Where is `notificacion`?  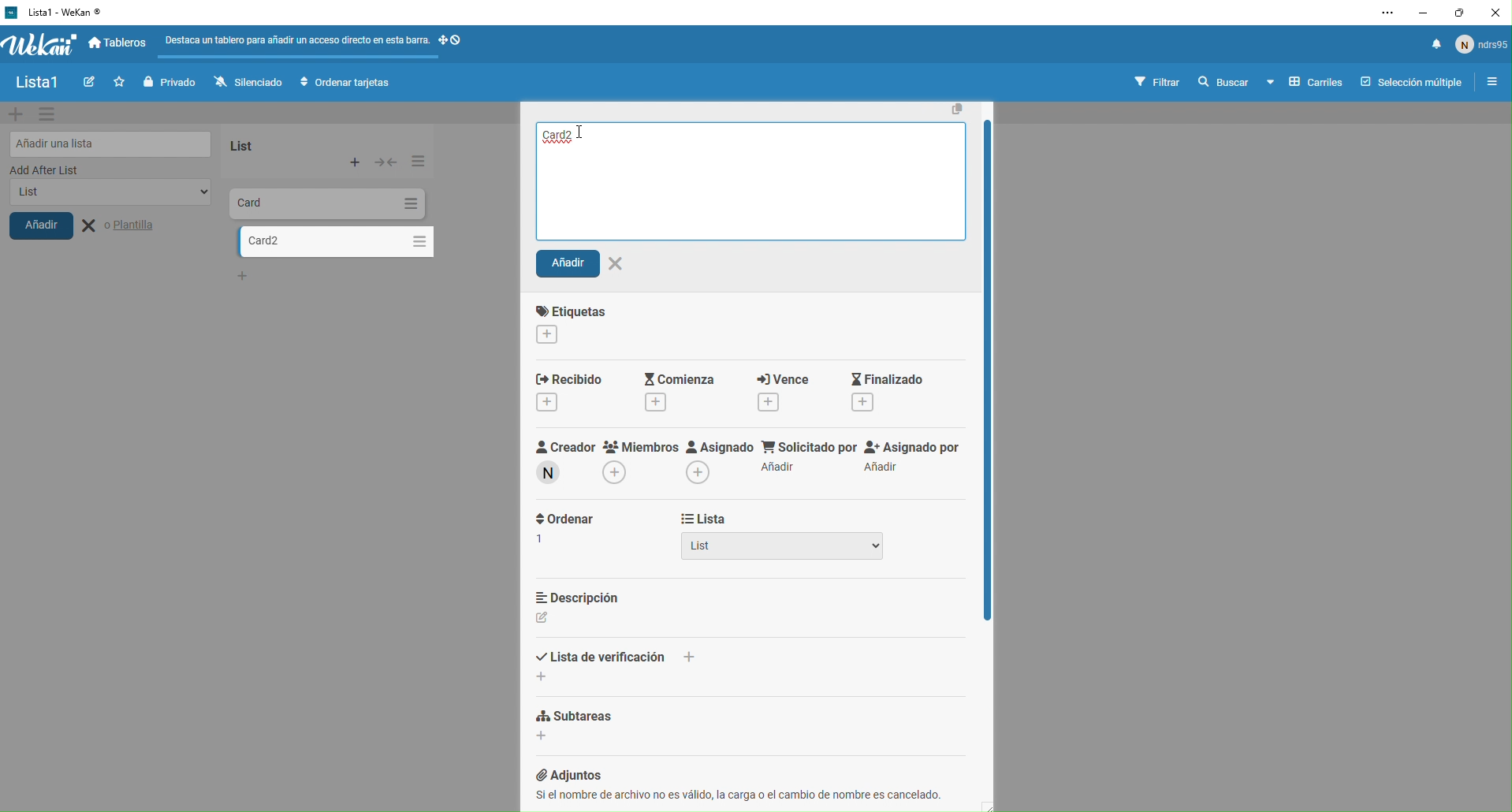
notificacion is located at coordinates (1431, 48).